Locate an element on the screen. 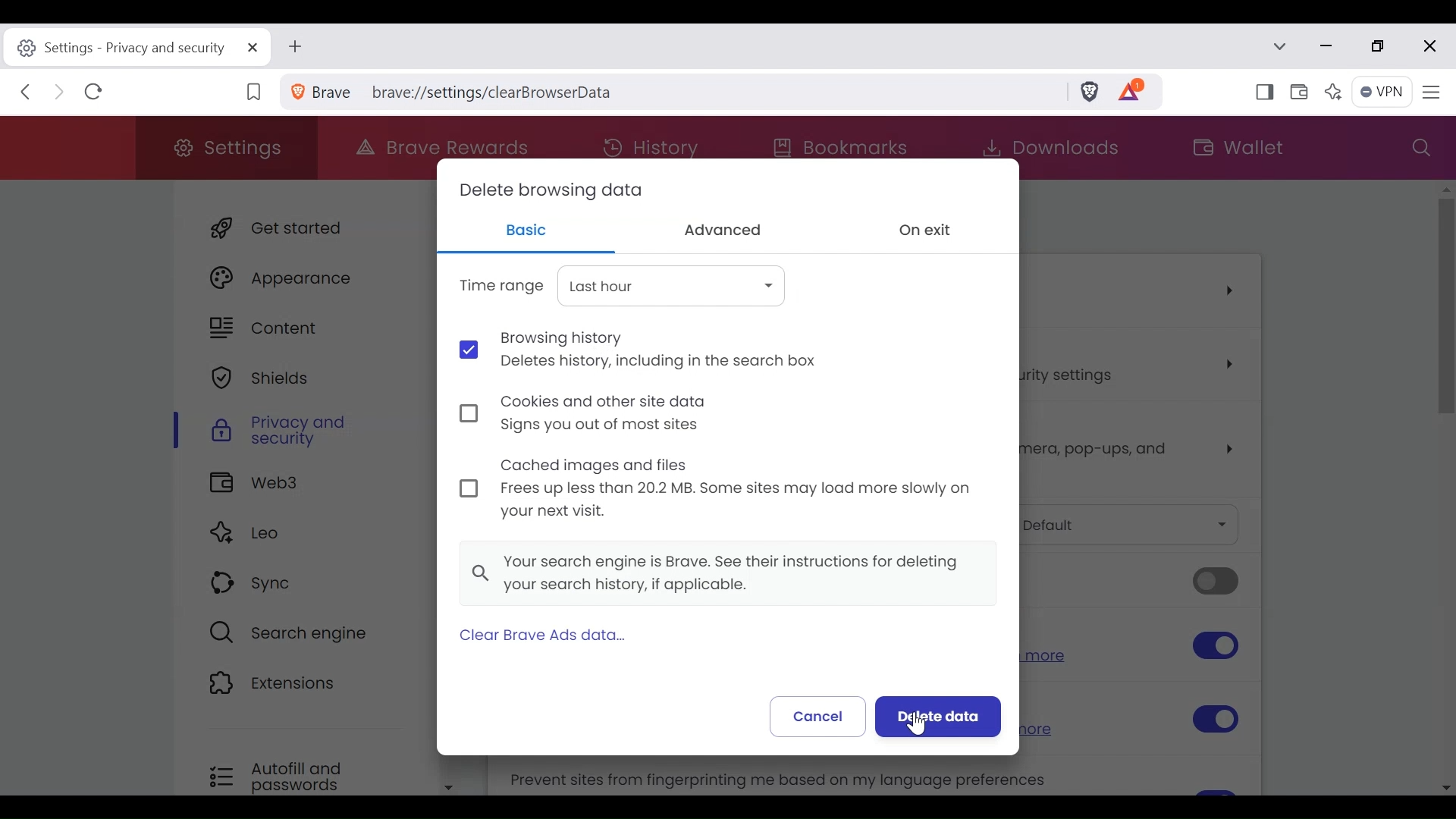 The width and height of the screenshot is (1456, 819). Your search engine is Brave. See their instructions for deleting
your search history, if applicable. is located at coordinates (713, 572).